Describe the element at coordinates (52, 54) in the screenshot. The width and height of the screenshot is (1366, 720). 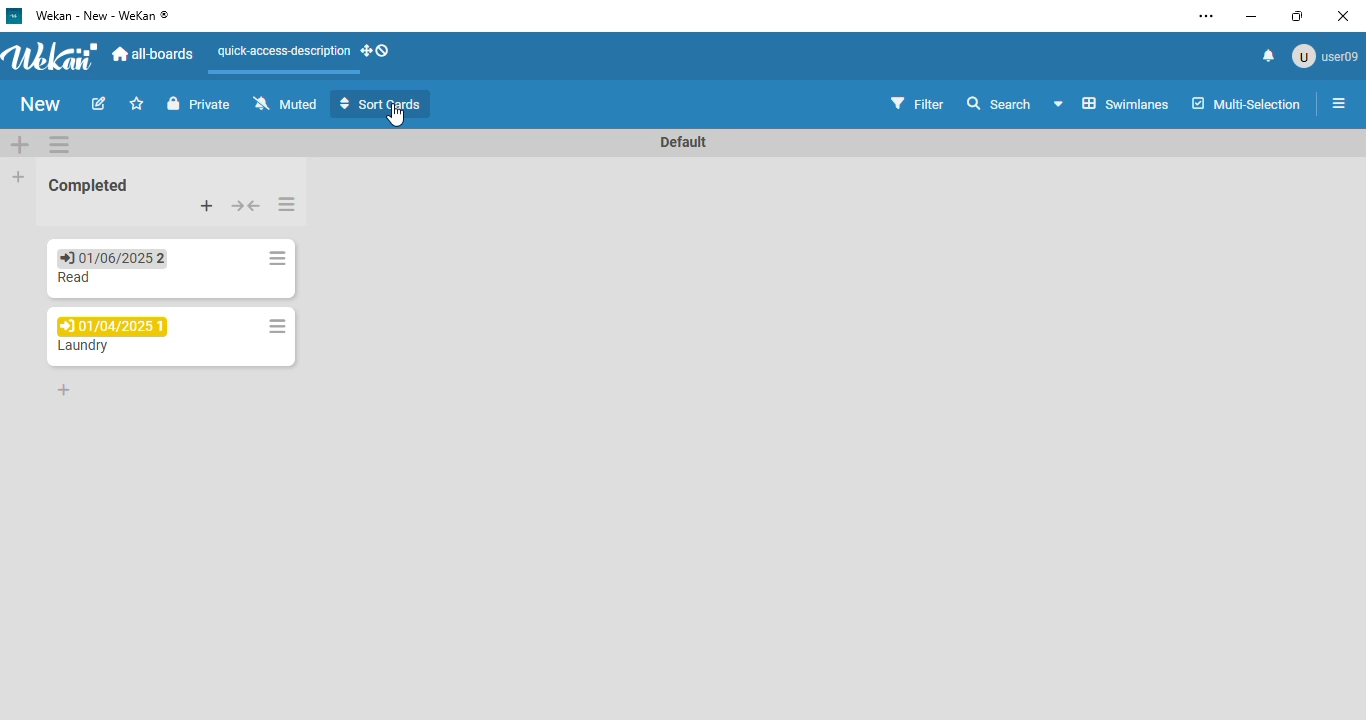
I see `wekan` at that location.